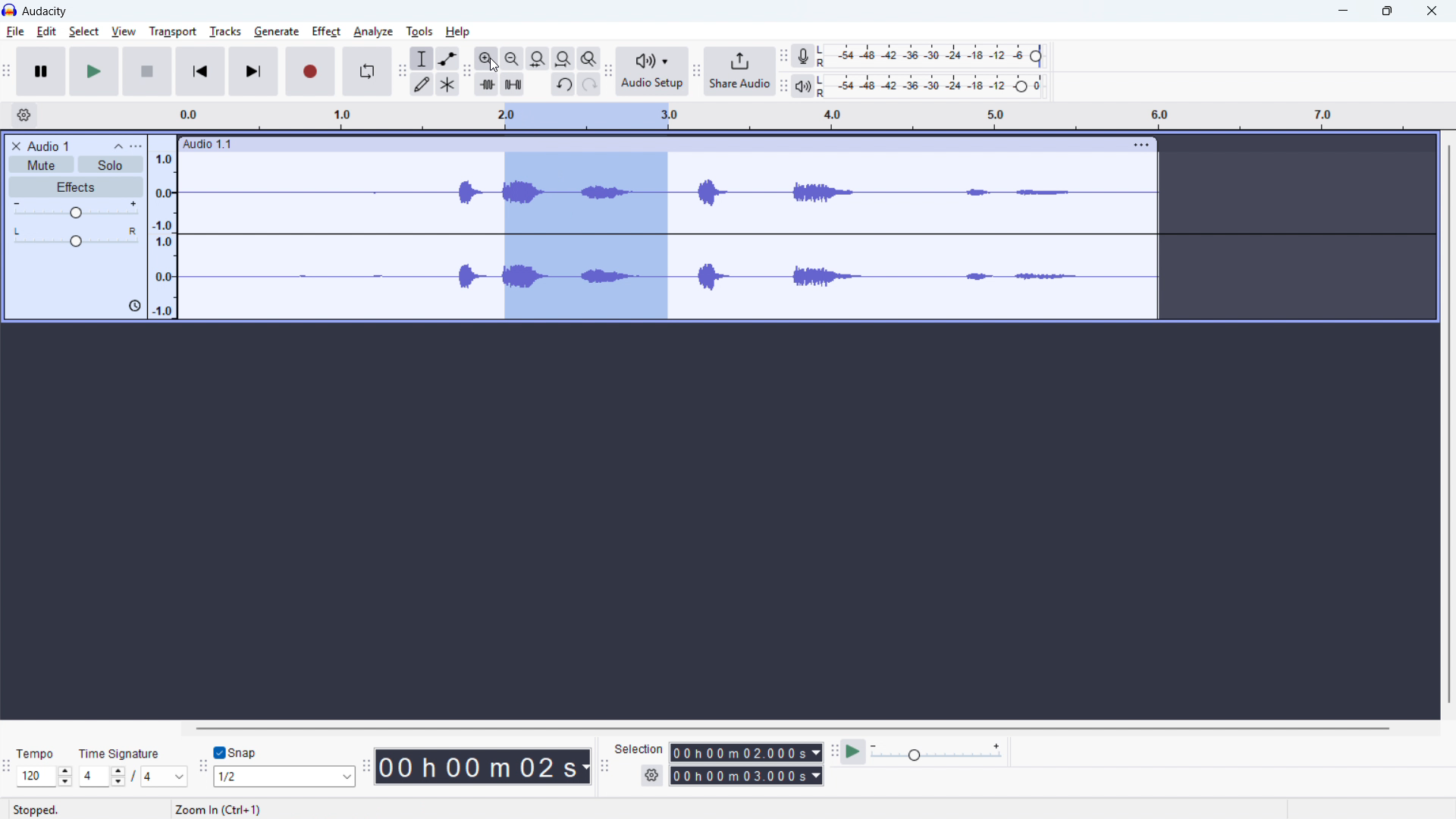  I want to click on Analyse, so click(374, 33).